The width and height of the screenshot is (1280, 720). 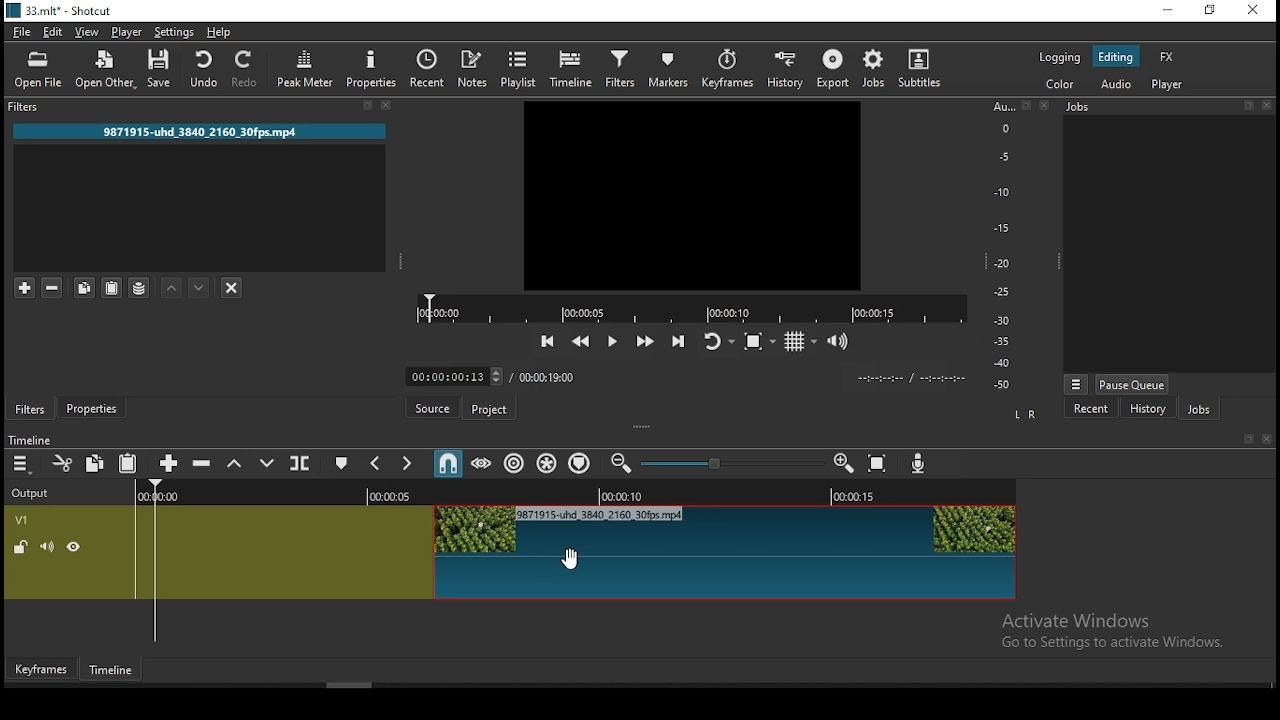 What do you see at coordinates (1245, 106) in the screenshot?
I see `bookmark` at bounding box center [1245, 106].